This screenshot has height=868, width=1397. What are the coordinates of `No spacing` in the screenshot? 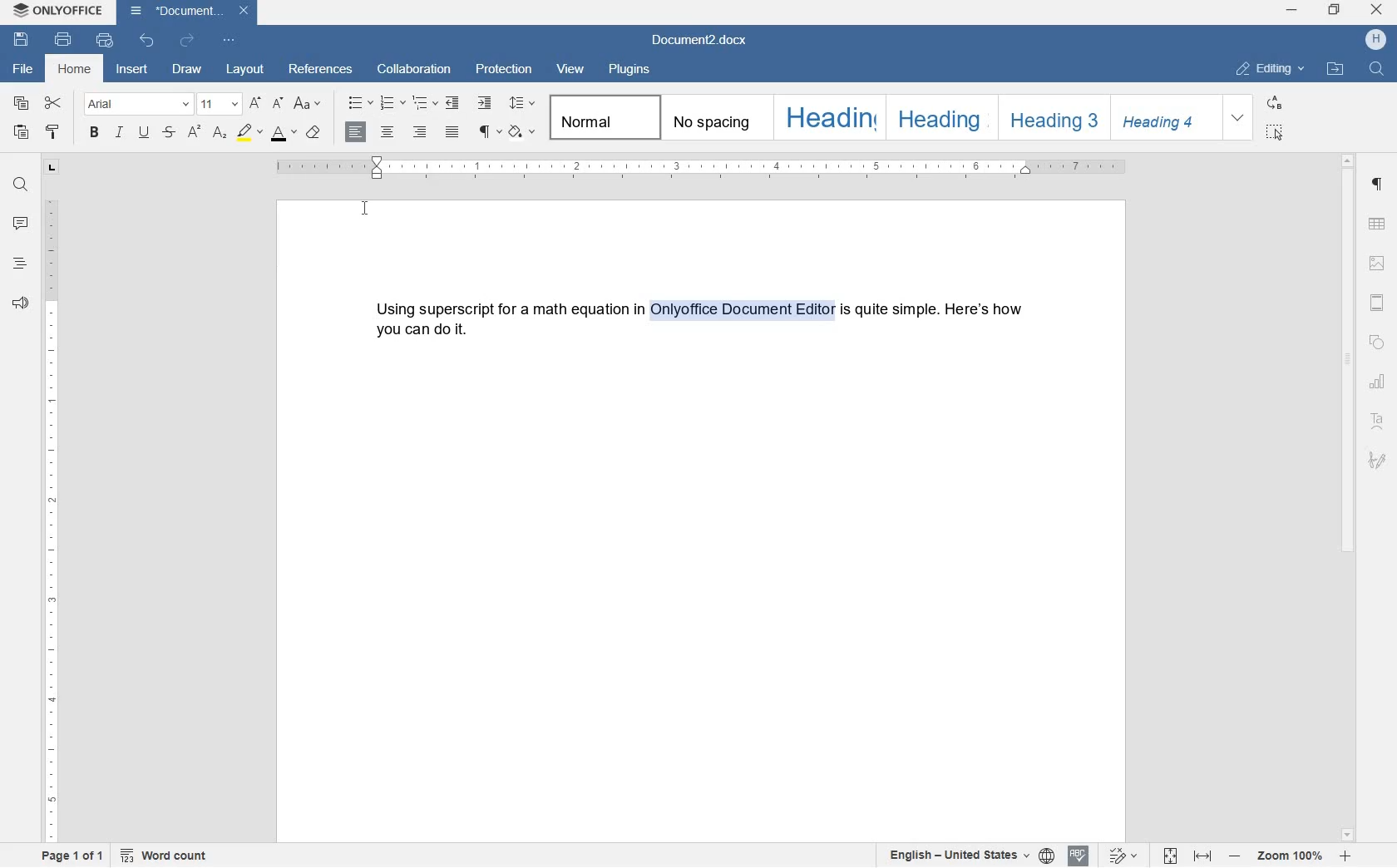 It's located at (711, 116).